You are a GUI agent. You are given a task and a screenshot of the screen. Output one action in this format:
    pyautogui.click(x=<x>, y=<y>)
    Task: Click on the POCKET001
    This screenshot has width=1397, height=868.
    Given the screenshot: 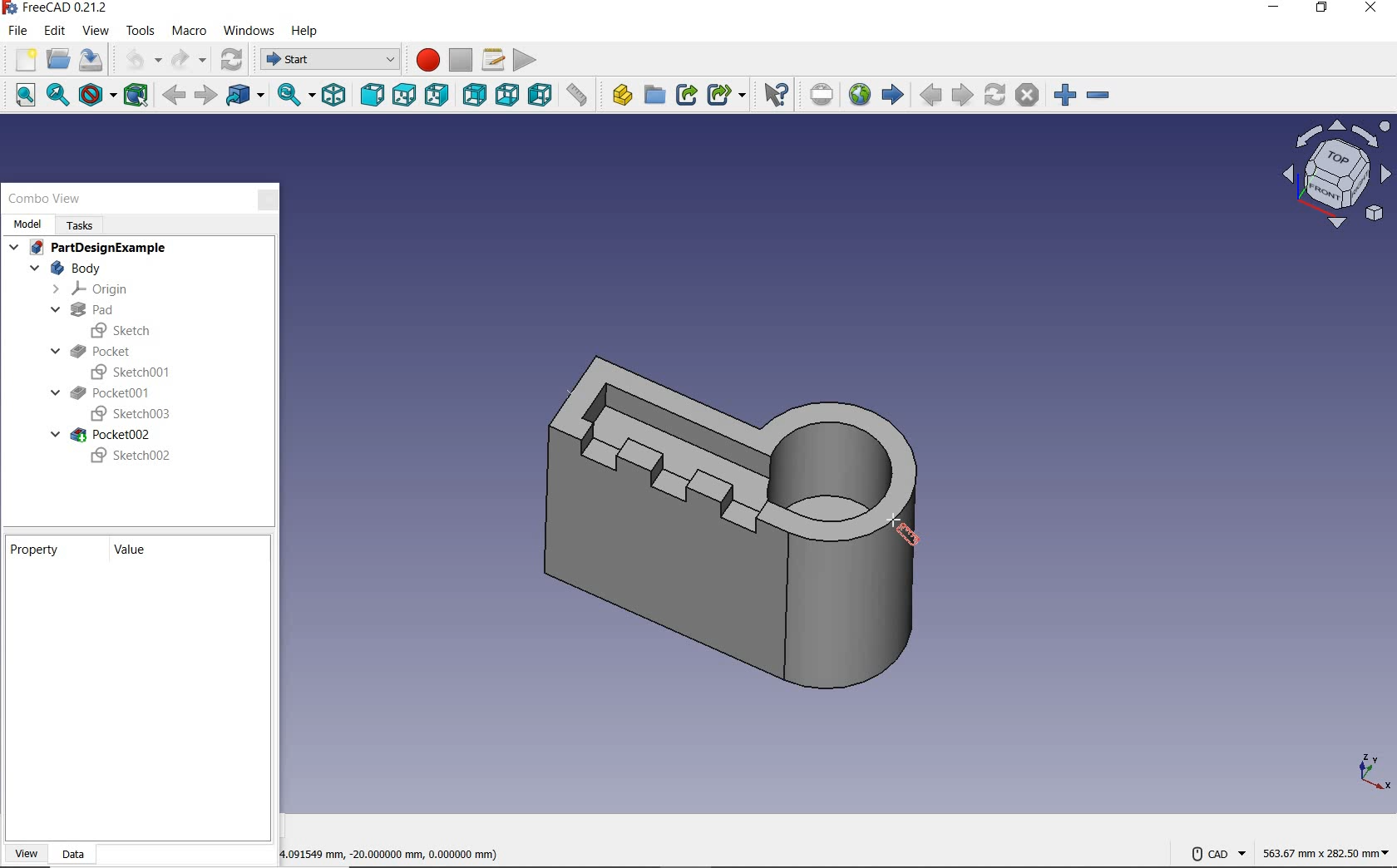 What is the action you would take?
    pyautogui.click(x=102, y=393)
    